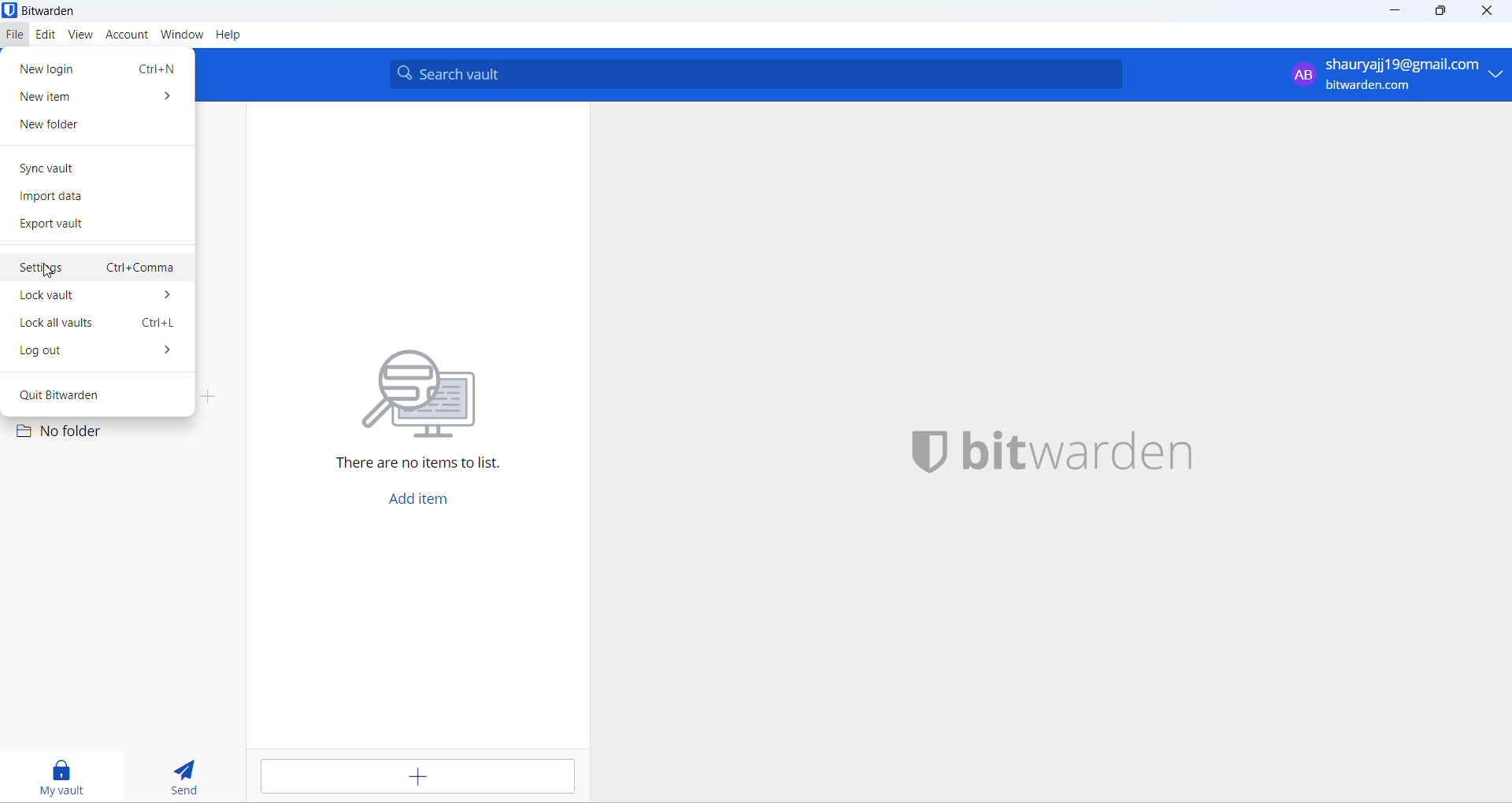  Describe the element at coordinates (67, 432) in the screenshot. I see `No folder` at that location.